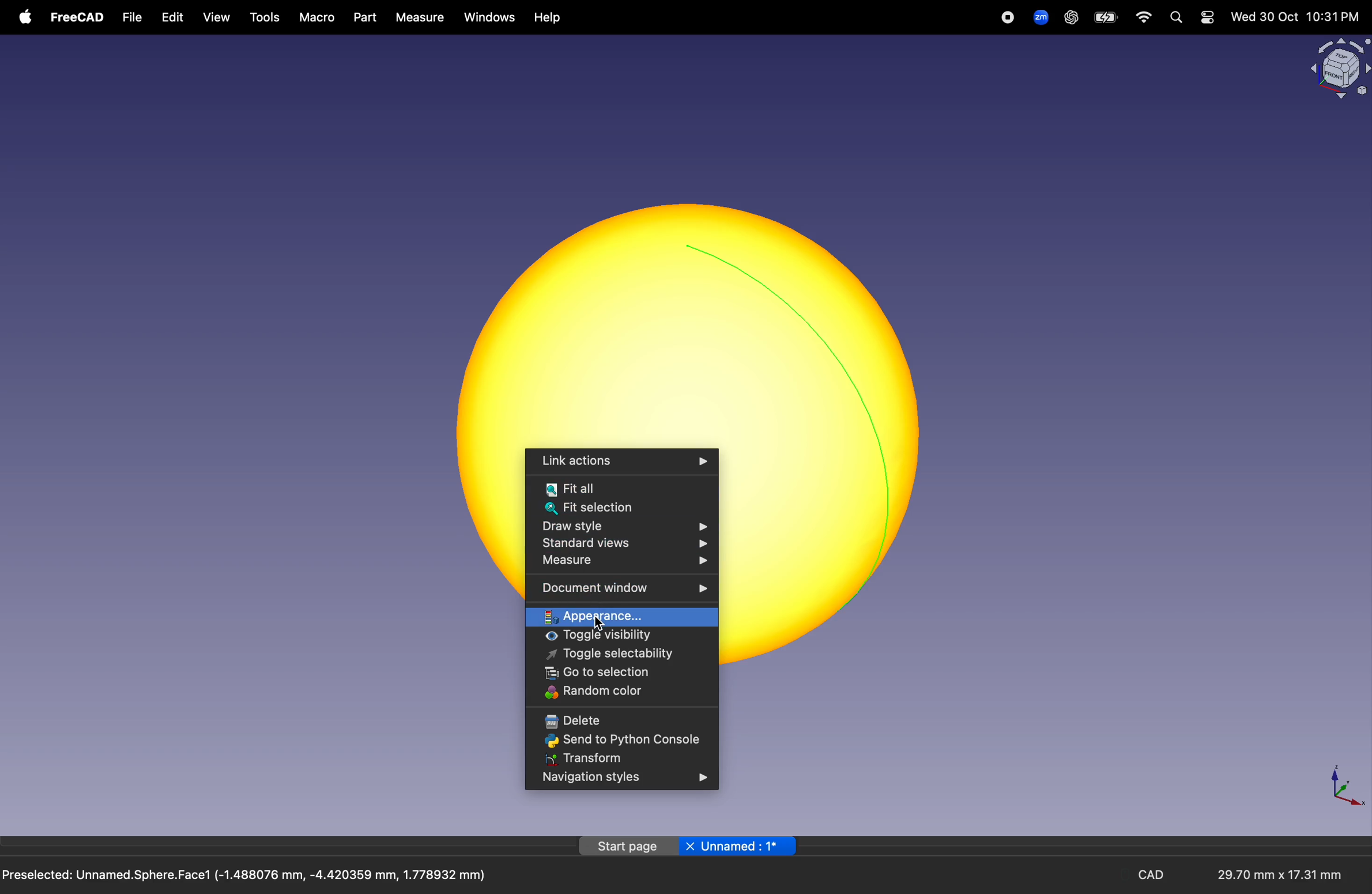  I want to click on document view, so click(625, 591).